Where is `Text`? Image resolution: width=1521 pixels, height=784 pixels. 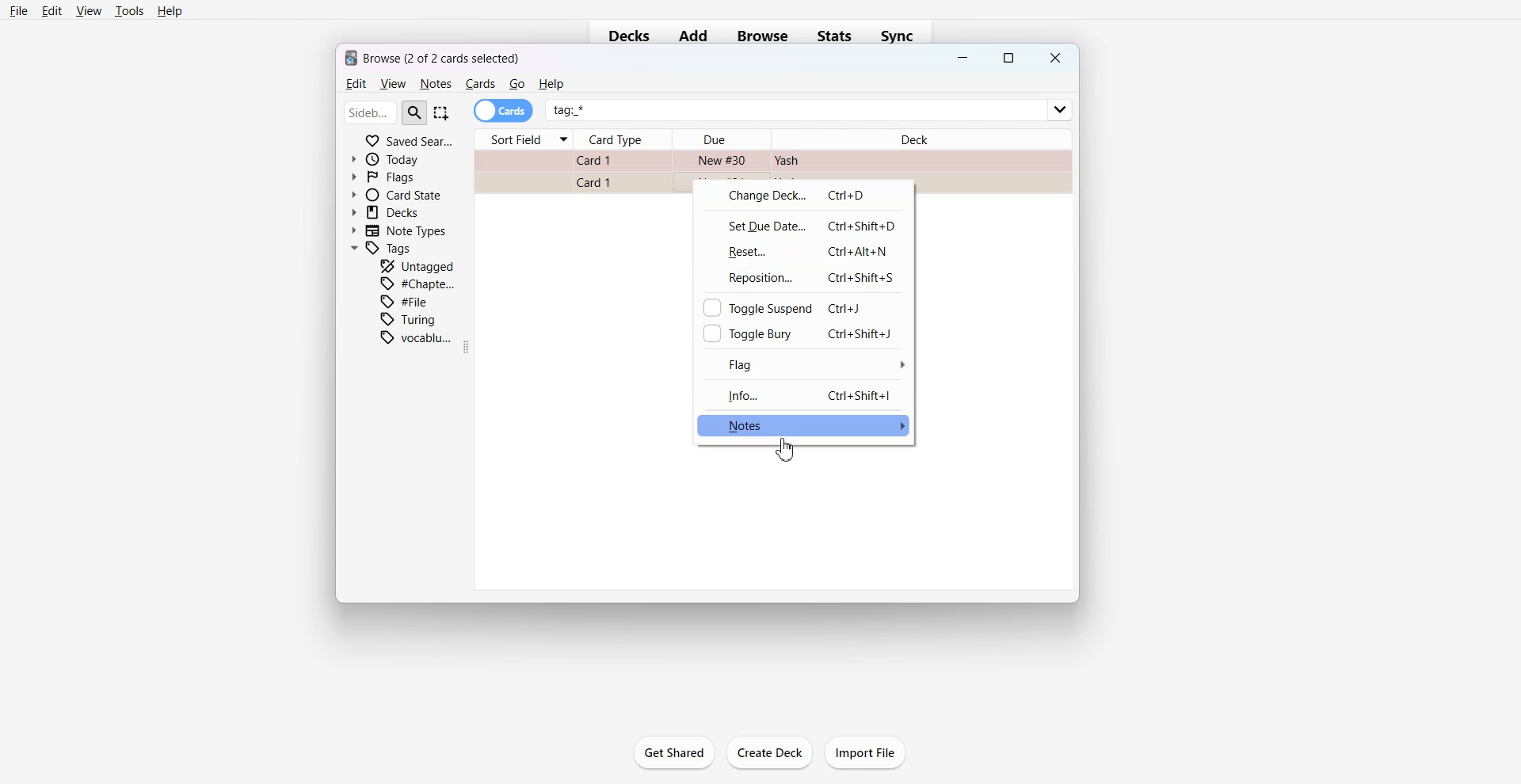
Text is located at coordinates (433, 56).